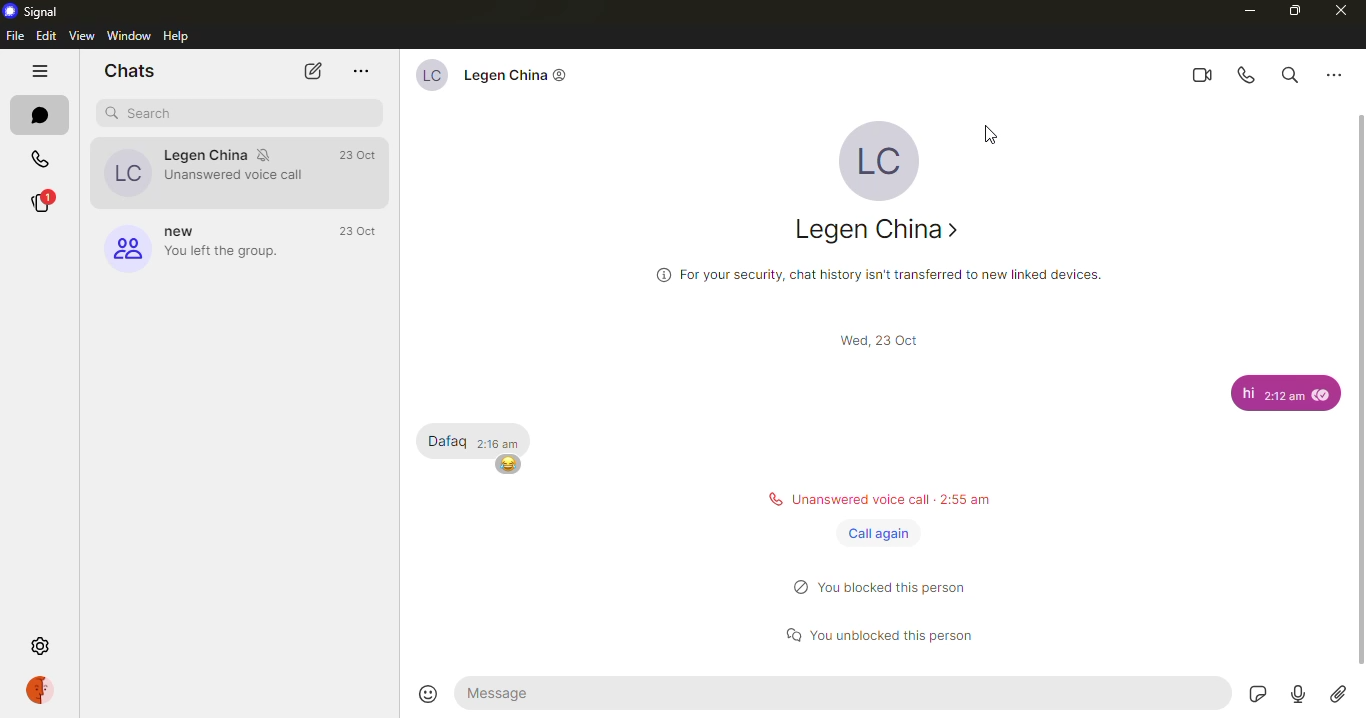  Describe the element at coordinates (871, 229) in the screenshot. I see `contact` at that location.